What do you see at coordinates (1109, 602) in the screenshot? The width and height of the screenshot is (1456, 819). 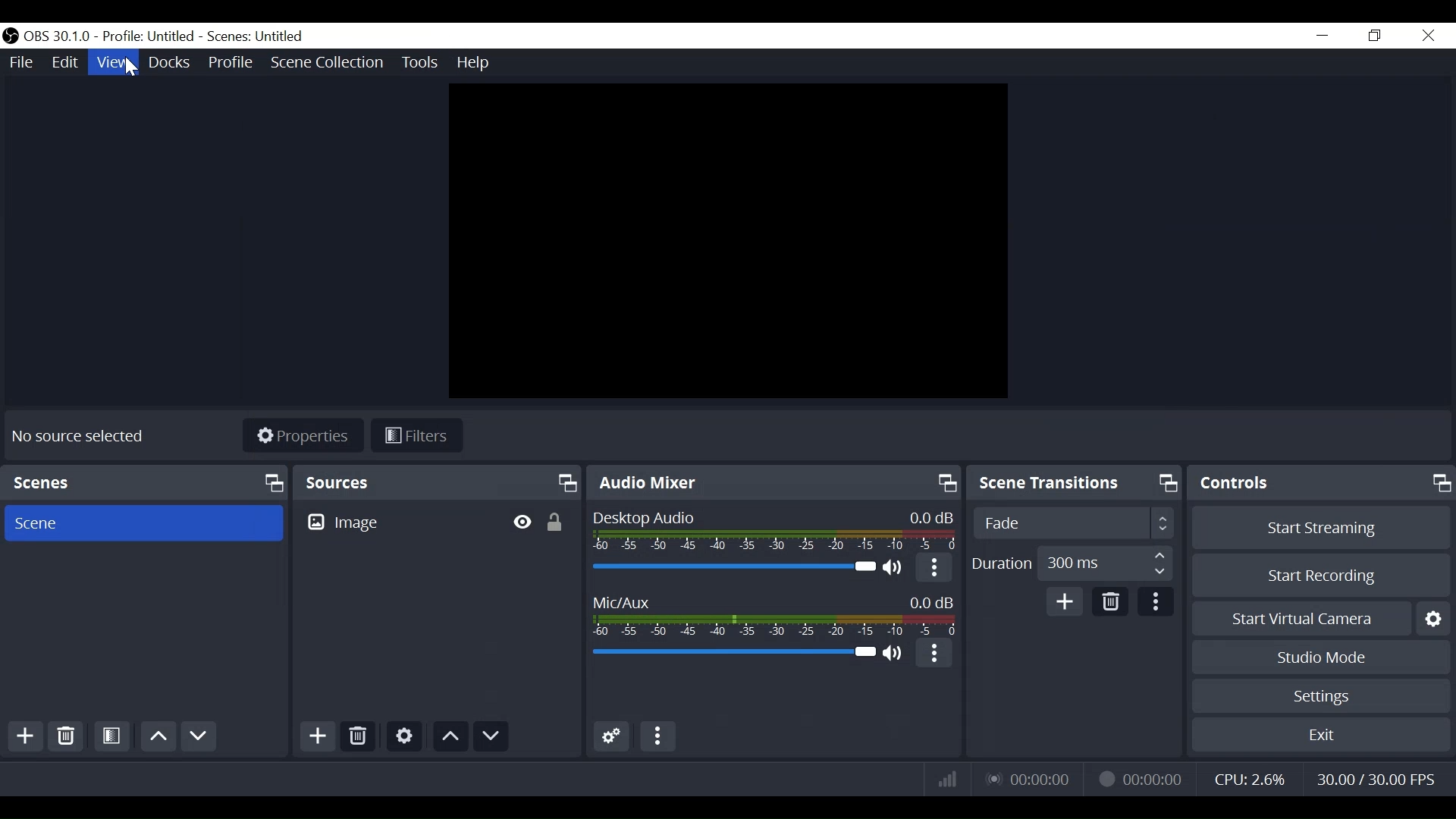 I see `Delete` at bounding box center [1109, 602].